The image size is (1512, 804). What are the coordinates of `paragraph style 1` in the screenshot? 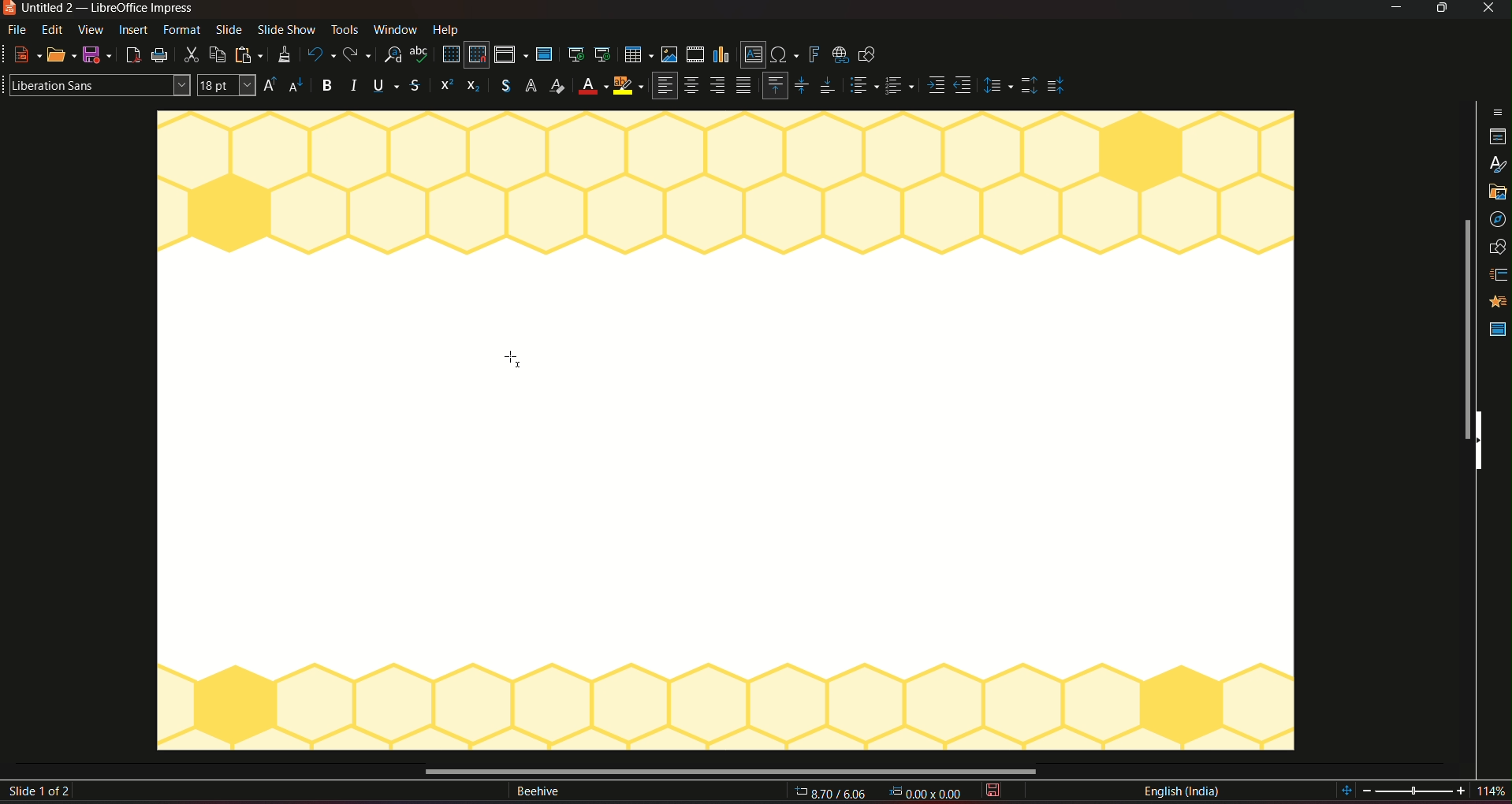 It's located at (862, 87).